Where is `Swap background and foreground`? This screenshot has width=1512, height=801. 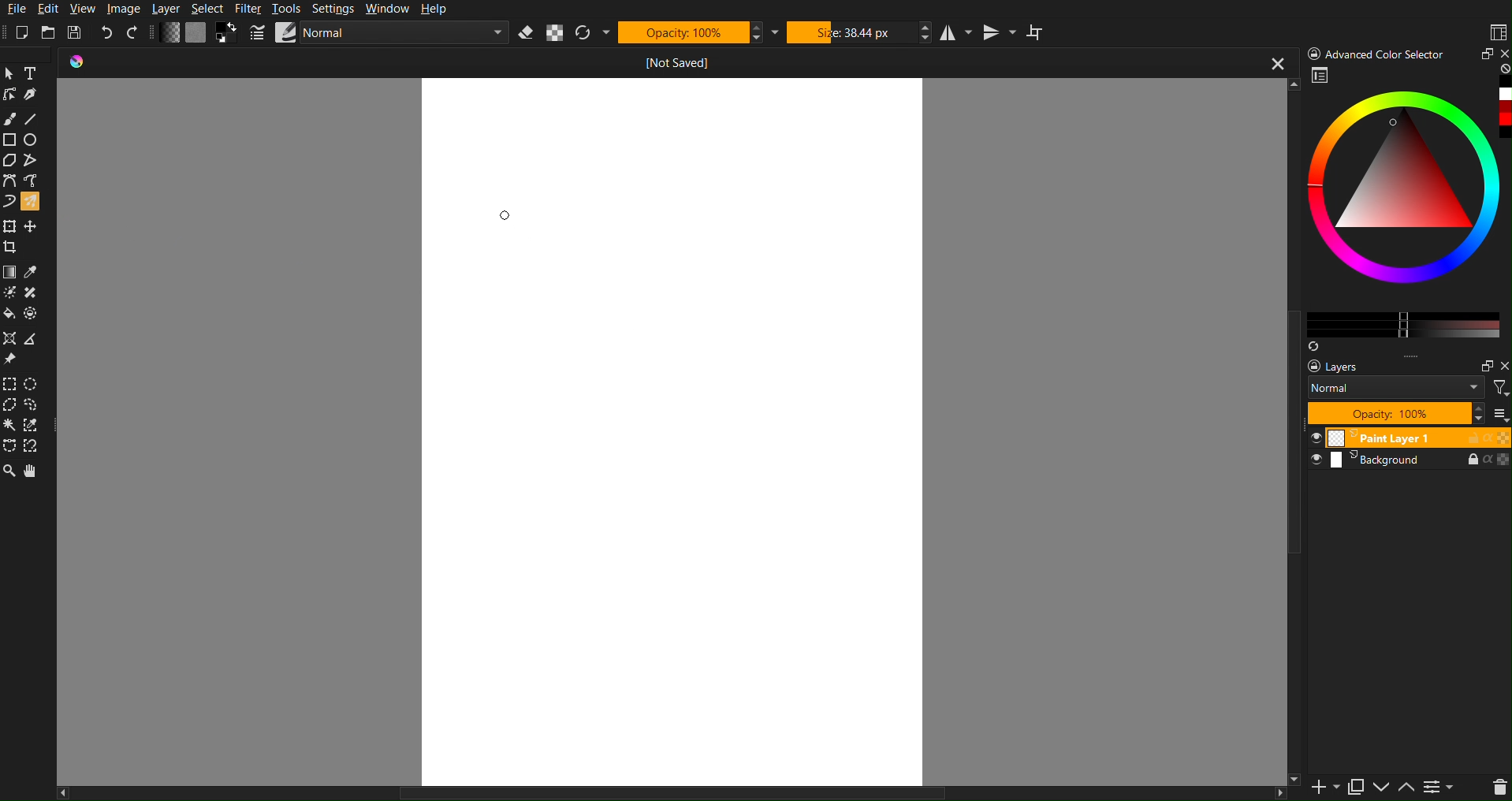
Swap background and foreground is located at coordinates (229, 32).